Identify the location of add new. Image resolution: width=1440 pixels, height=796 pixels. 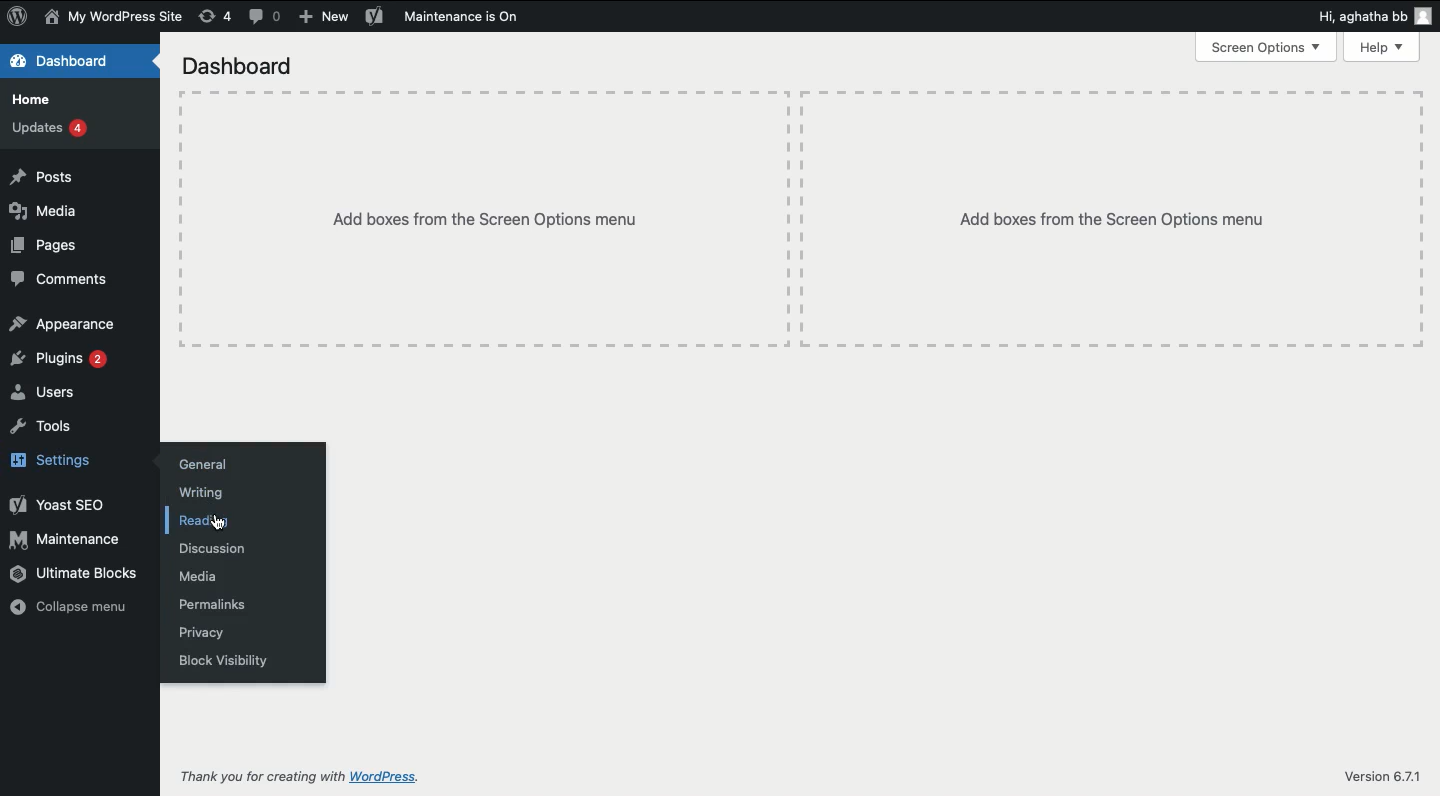
(322, 15).